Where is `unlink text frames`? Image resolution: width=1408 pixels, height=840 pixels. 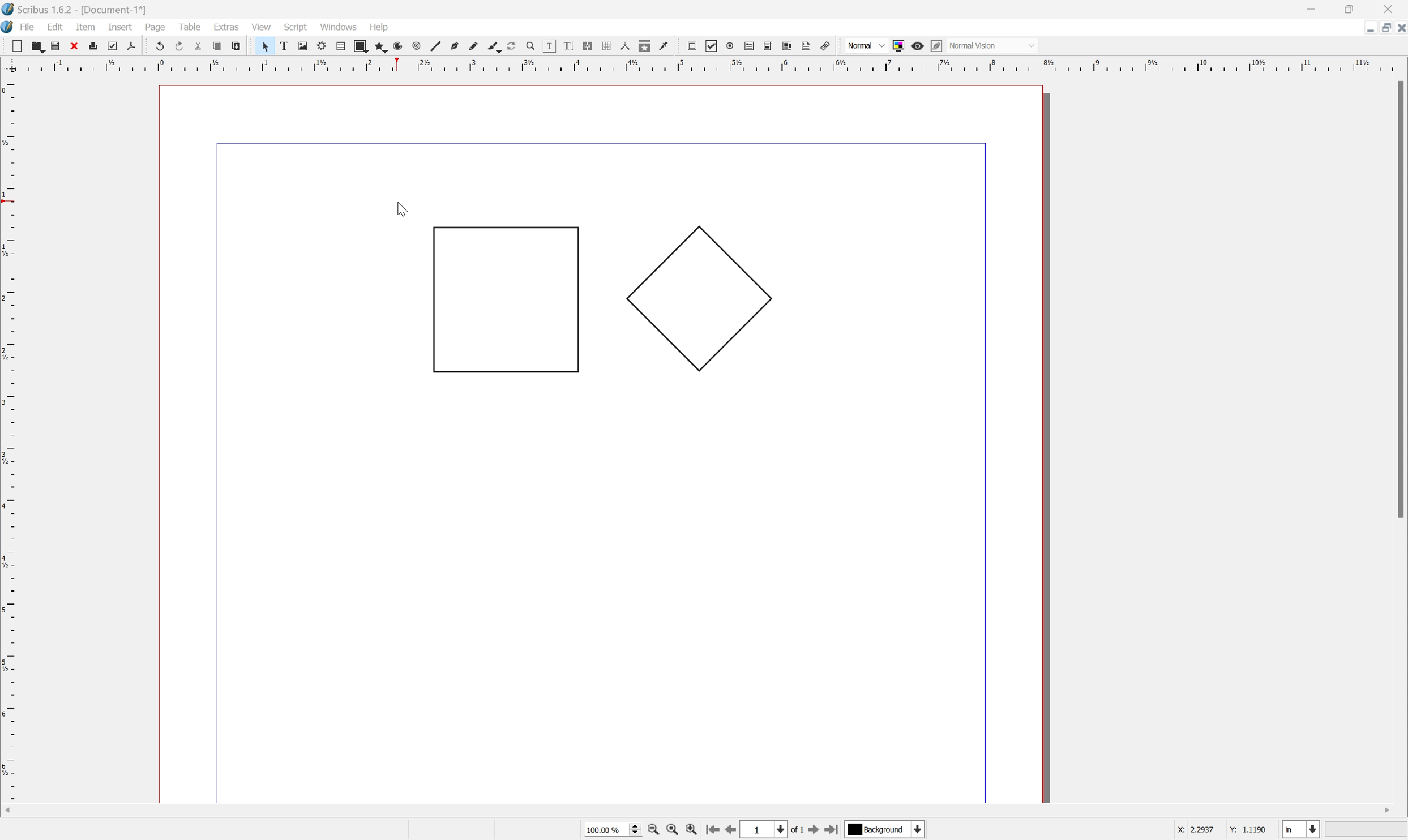 unlink text frames is located at coordinates (605, 46).